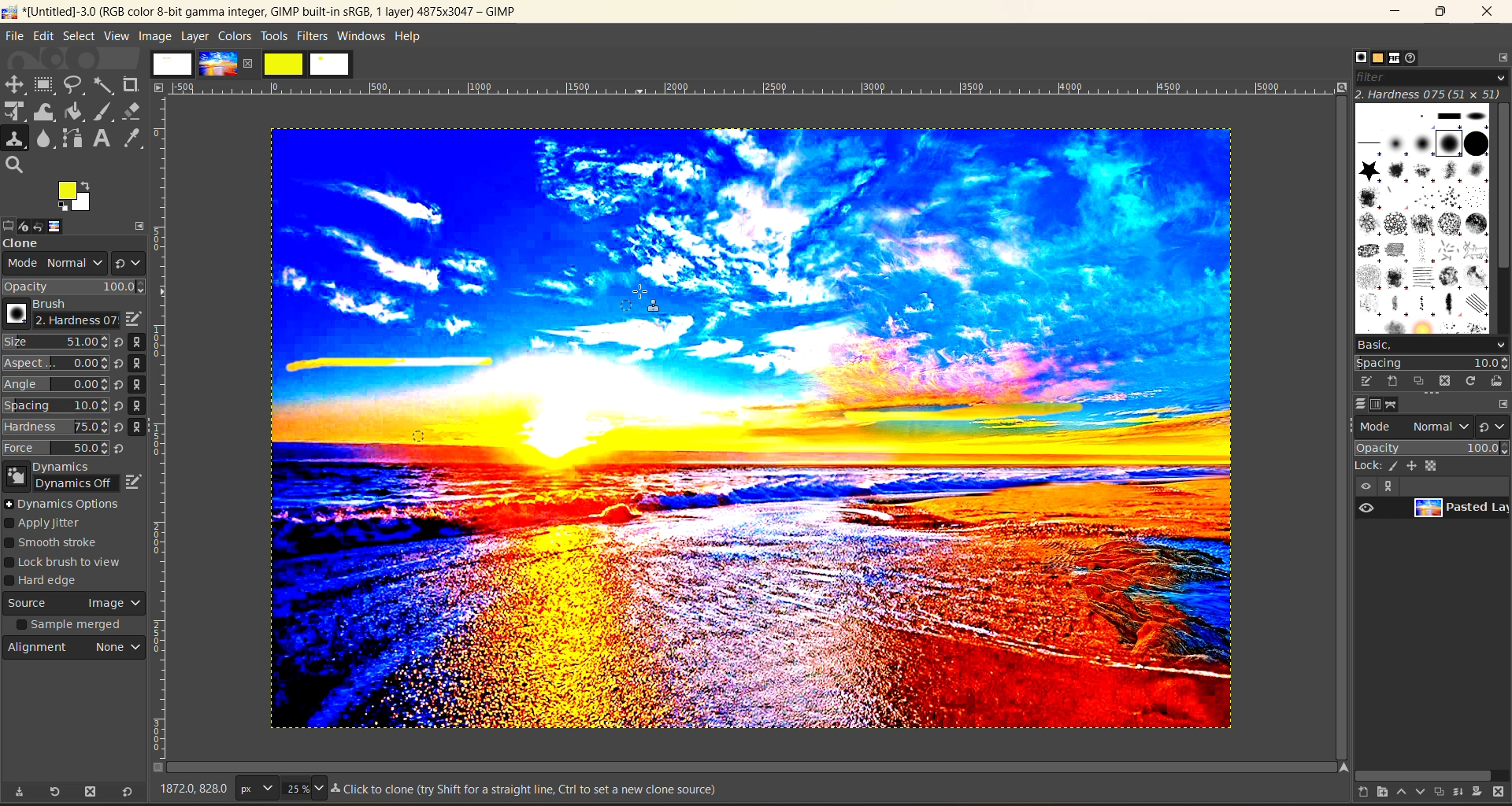 The image size is (1512, 806). I want to click on undo, so click(48, 225).